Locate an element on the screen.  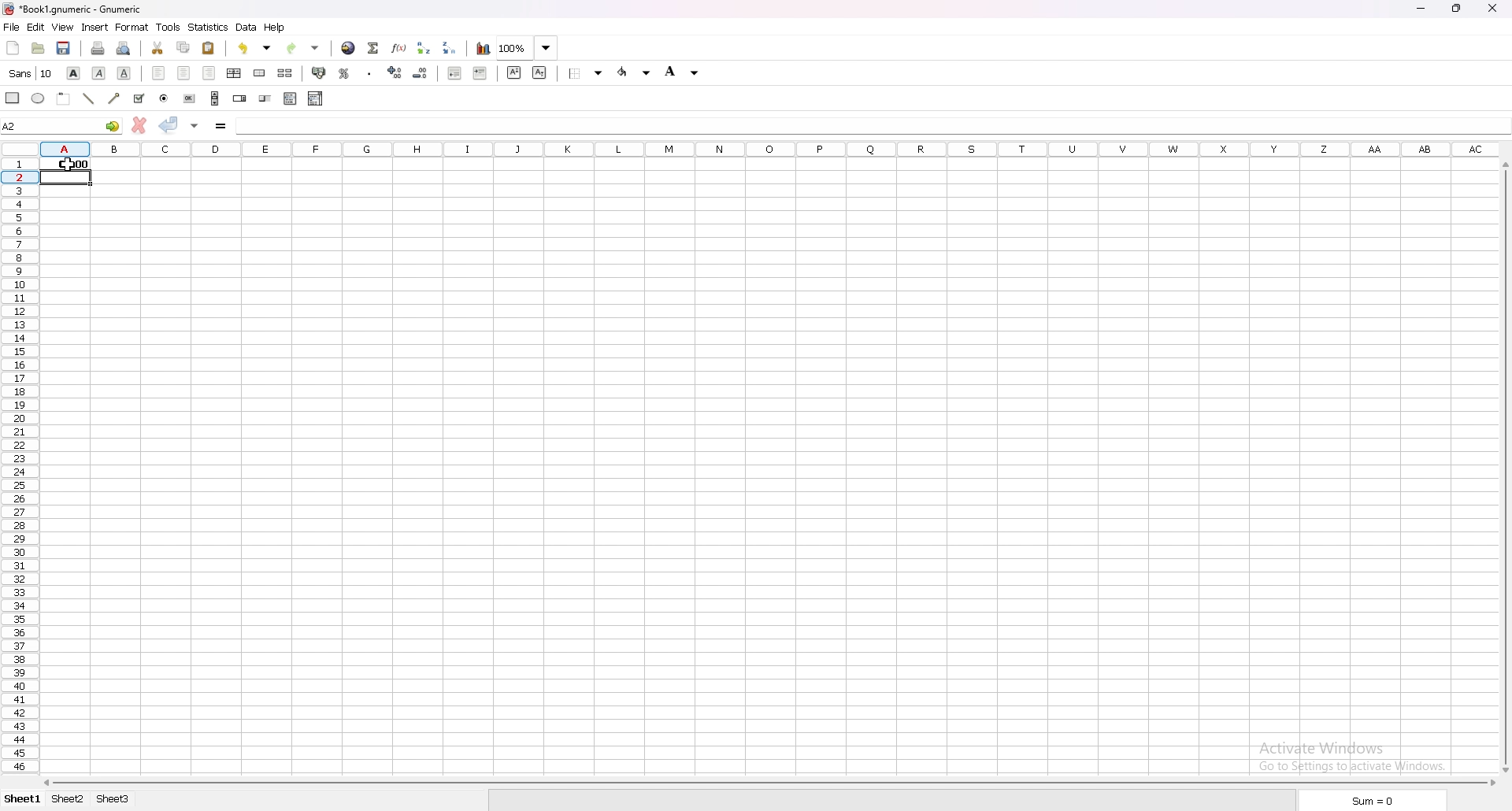
column is located at coordinates (772, 148).